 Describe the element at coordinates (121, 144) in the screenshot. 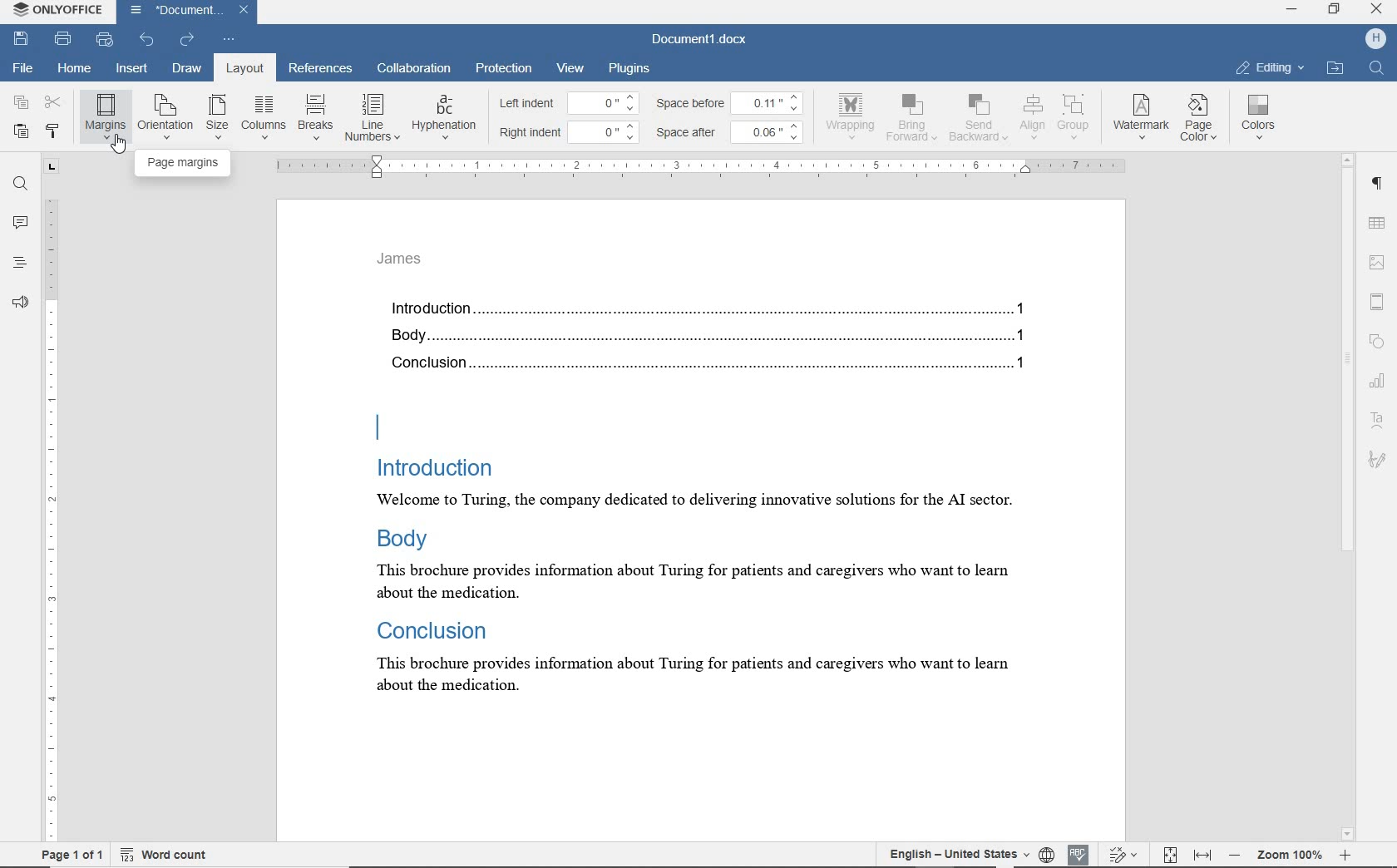

I see `cursor` at that location.